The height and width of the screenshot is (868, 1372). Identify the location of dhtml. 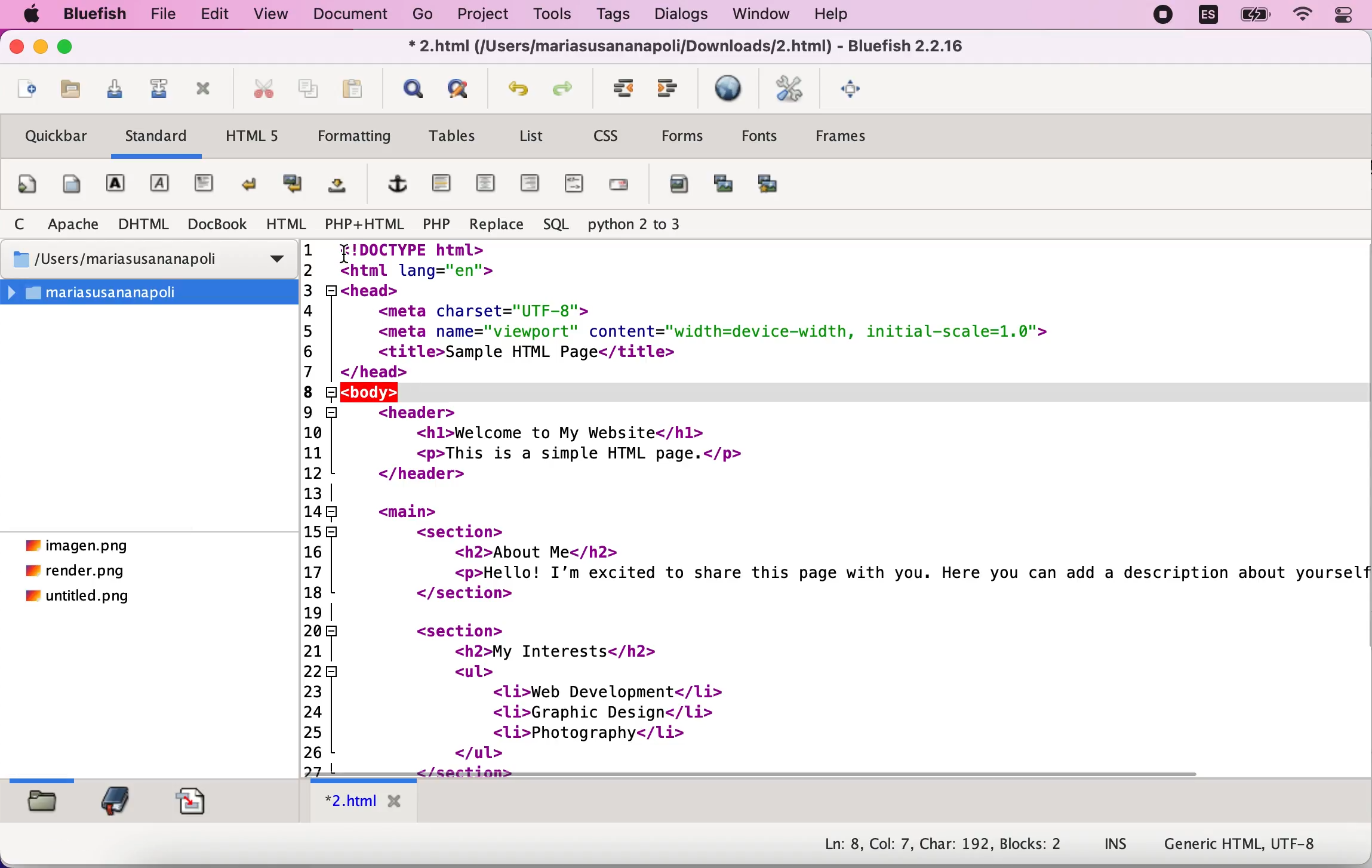
(140, 223).